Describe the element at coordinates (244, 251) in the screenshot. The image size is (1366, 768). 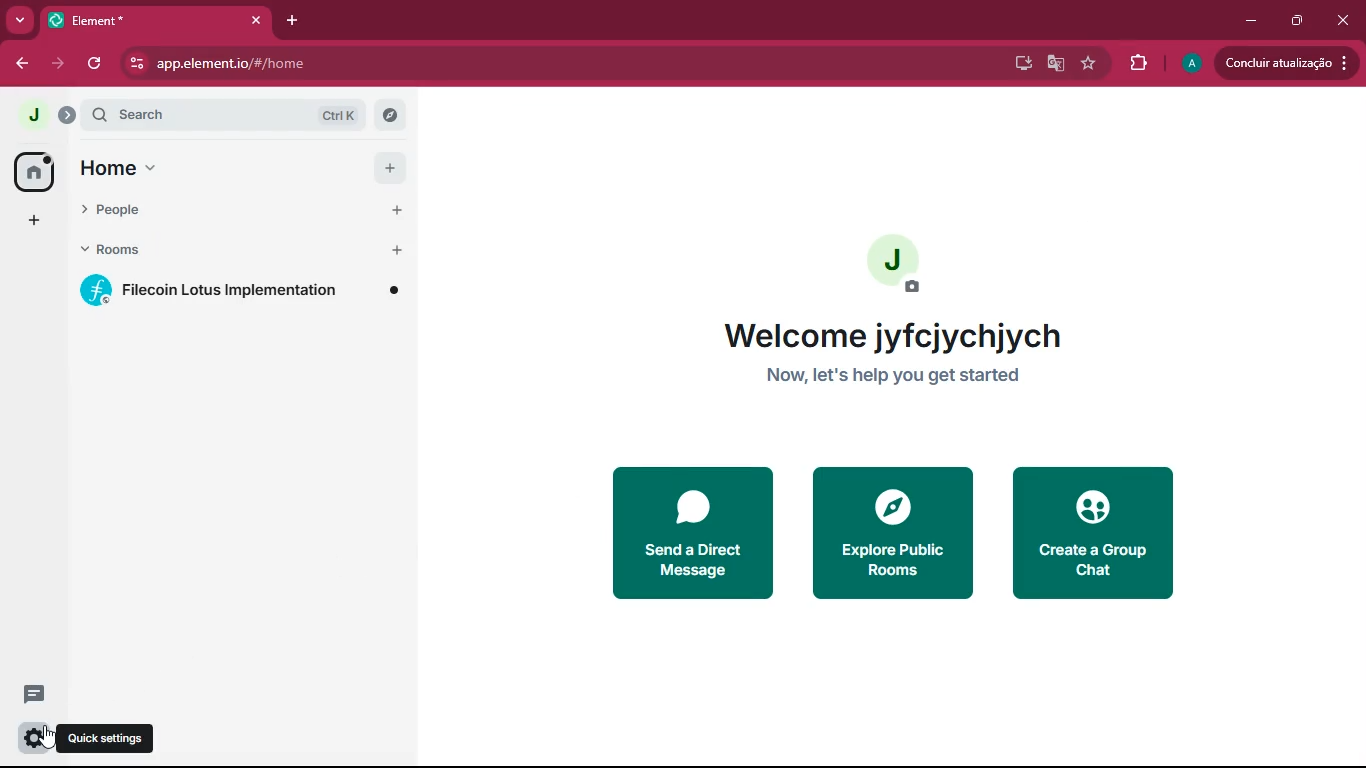
I see `rooms` at that location.